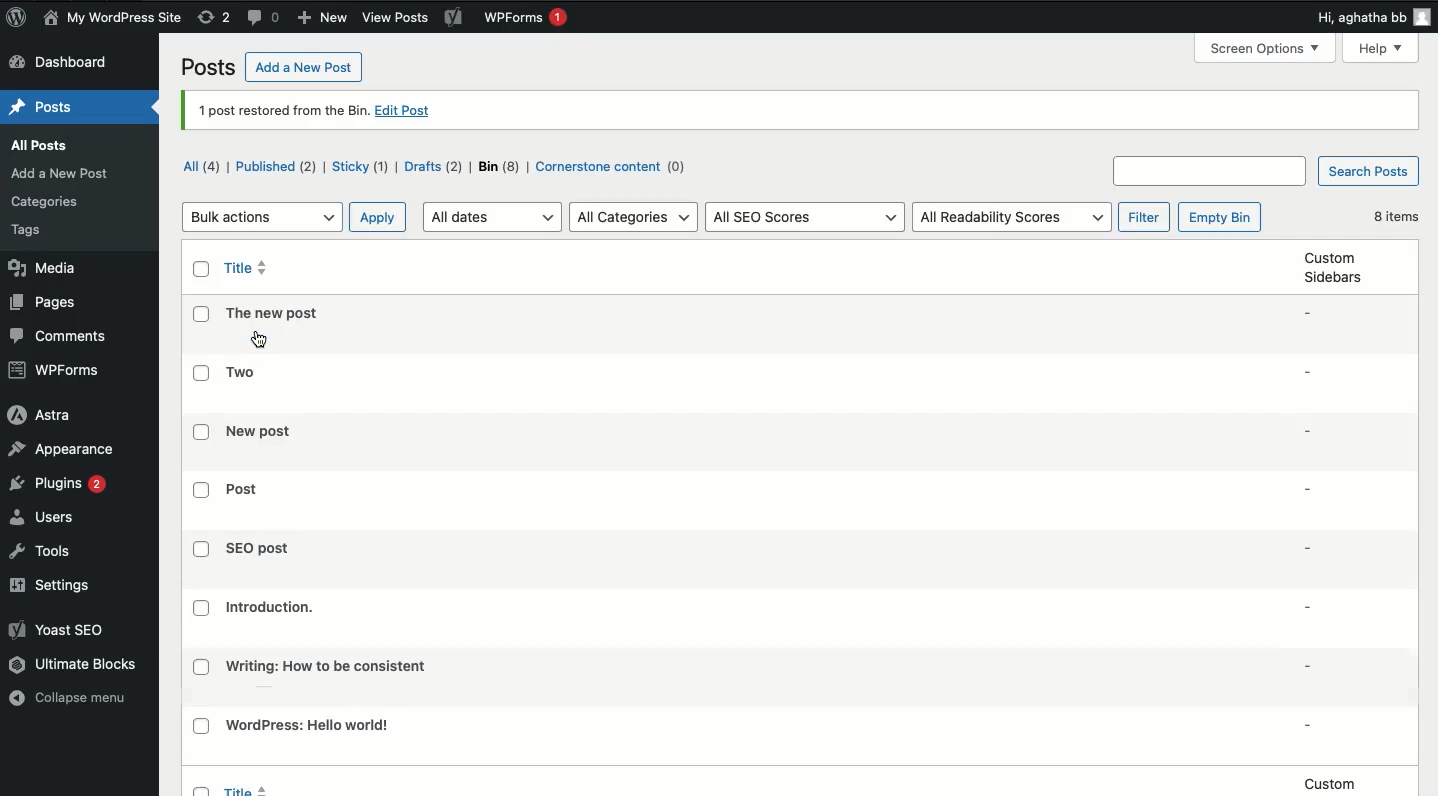  What do you see at coordinates (1011, 217) in the screenshot?
I see `all readability scores` at bounding box center [1011, 217].